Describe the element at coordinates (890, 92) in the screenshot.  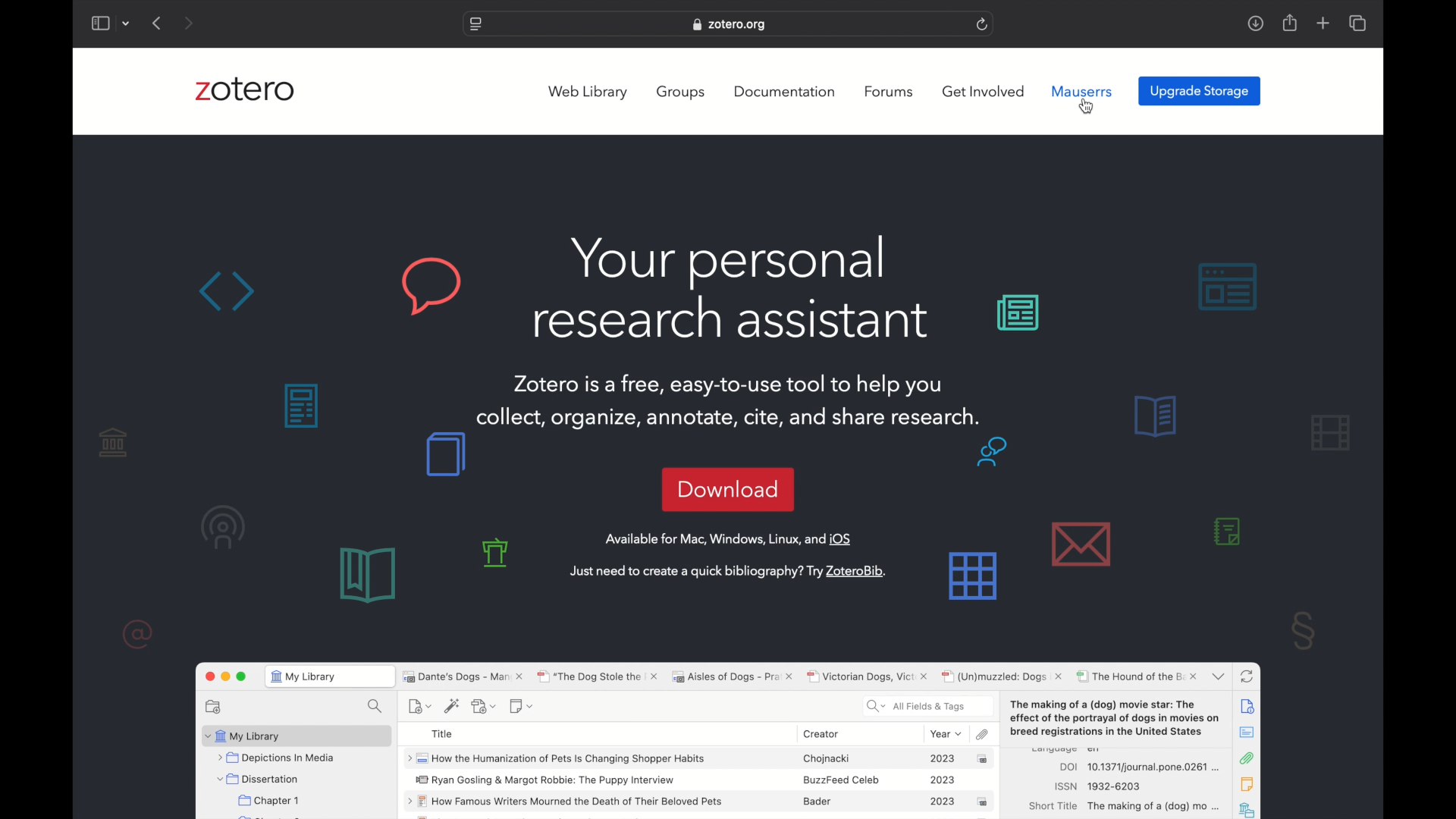
I see `forums` at that location.